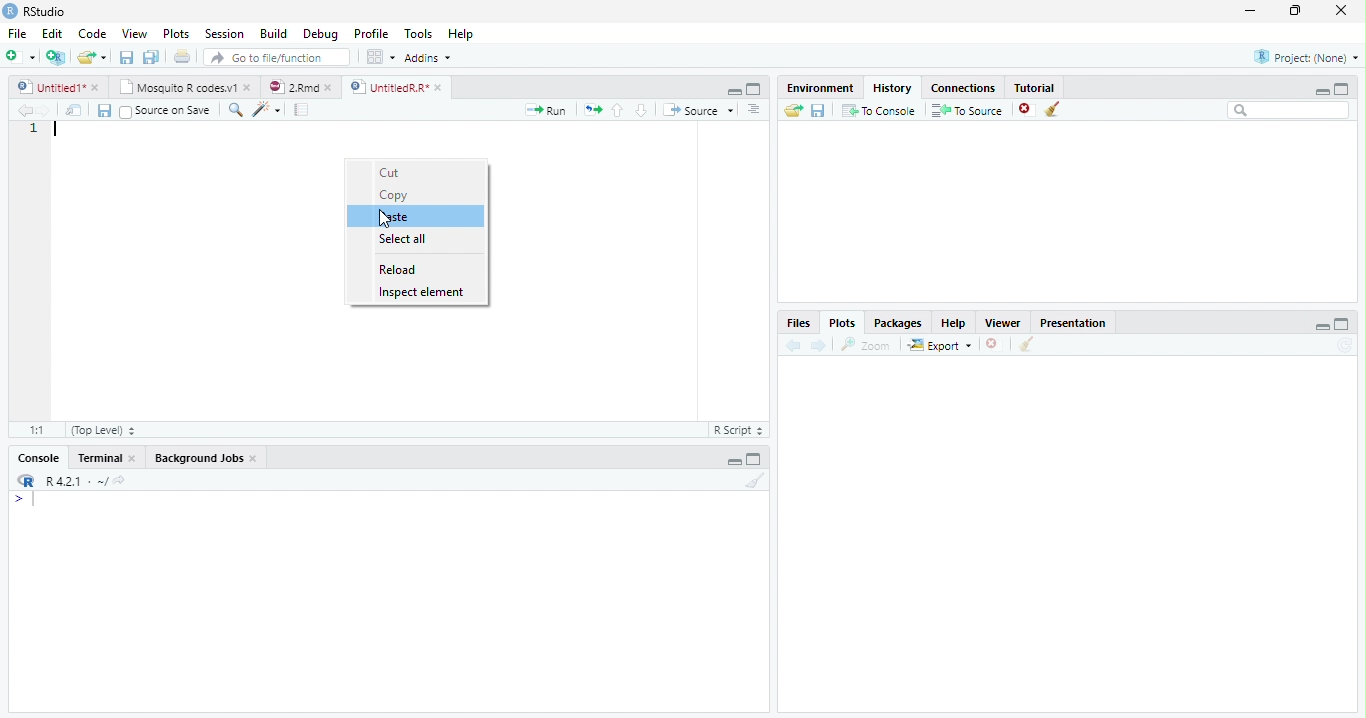 This screenshot has width=1366, height=718. What do you see at coordinates (26, 481) in the screenshot?
I see `R` at bounding box center [26, 481].